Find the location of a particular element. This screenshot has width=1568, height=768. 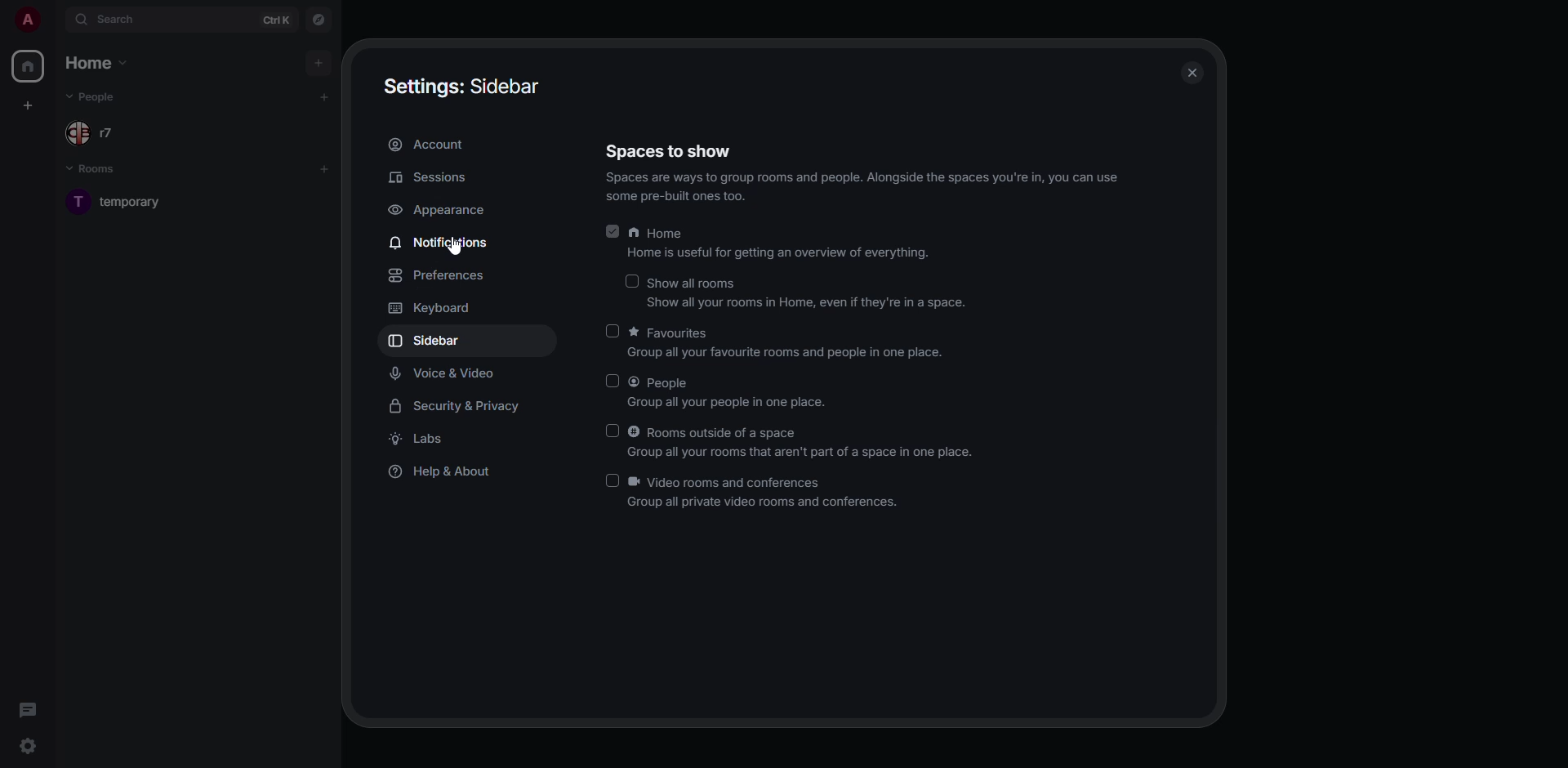

room is located at coordinates (137, 200).